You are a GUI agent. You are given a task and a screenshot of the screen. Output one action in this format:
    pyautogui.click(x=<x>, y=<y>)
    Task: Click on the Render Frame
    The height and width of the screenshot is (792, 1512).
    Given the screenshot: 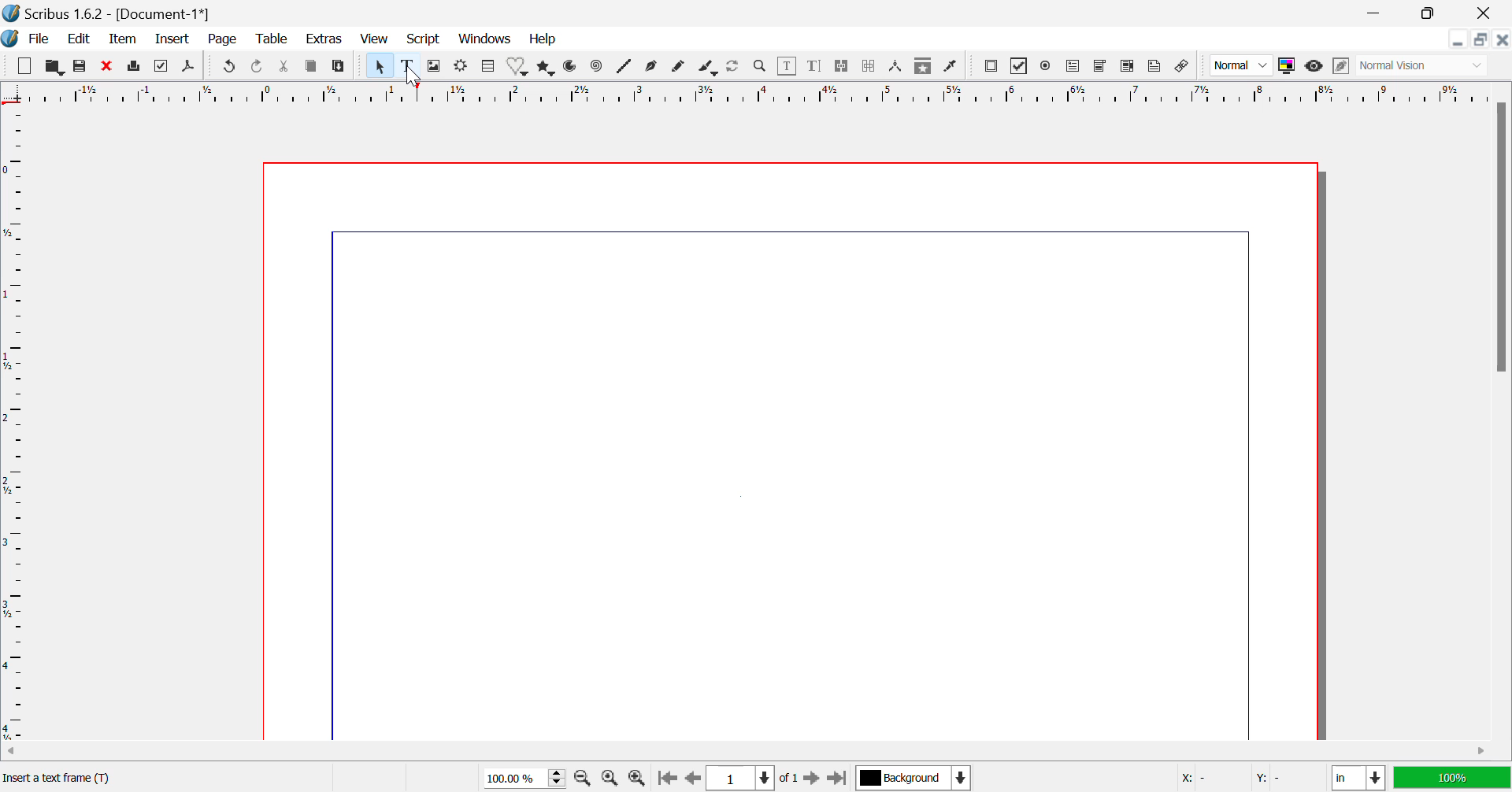 What is the action you would take?
    pyautogui.click(x=463, y=66)
    